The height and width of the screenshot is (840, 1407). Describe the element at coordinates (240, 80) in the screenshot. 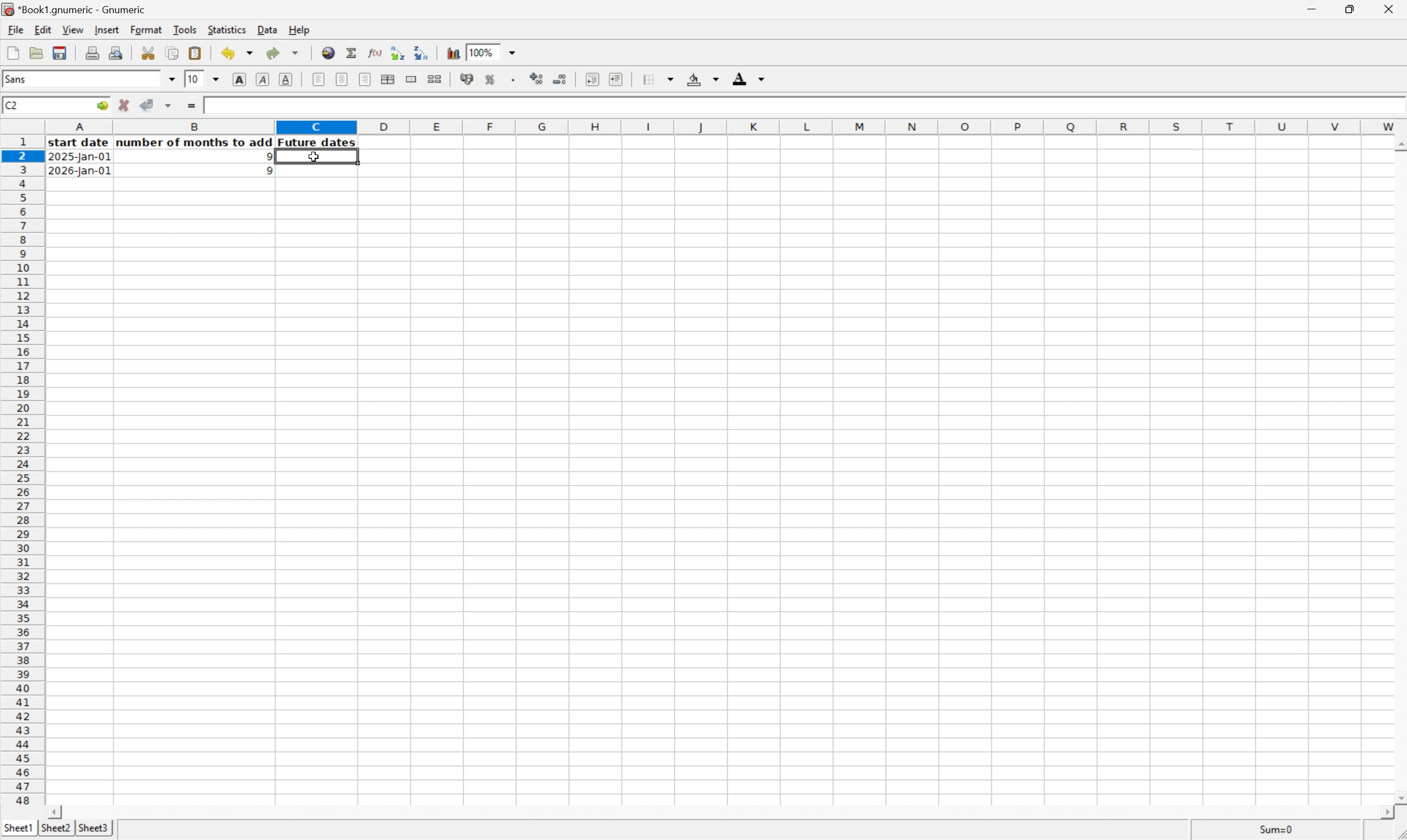

I see `Bold` at that location.